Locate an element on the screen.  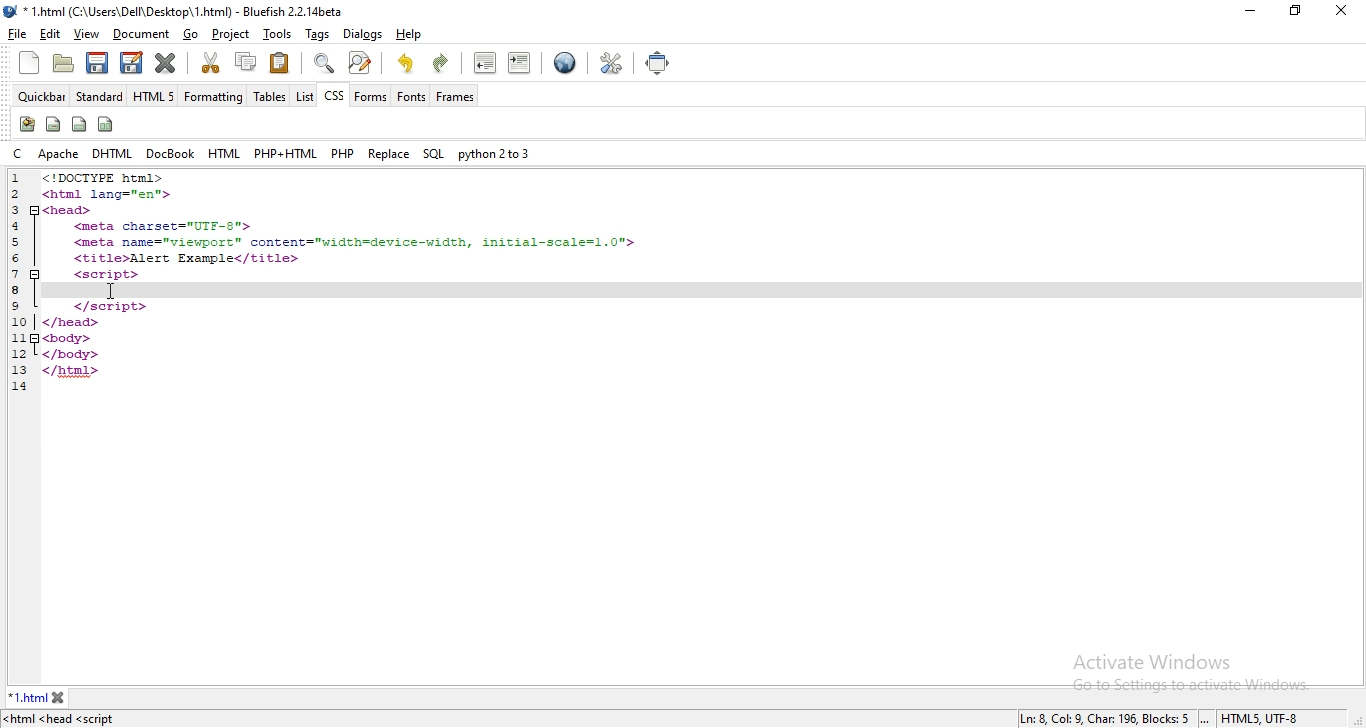
tags is located at coordinates (318, 34).